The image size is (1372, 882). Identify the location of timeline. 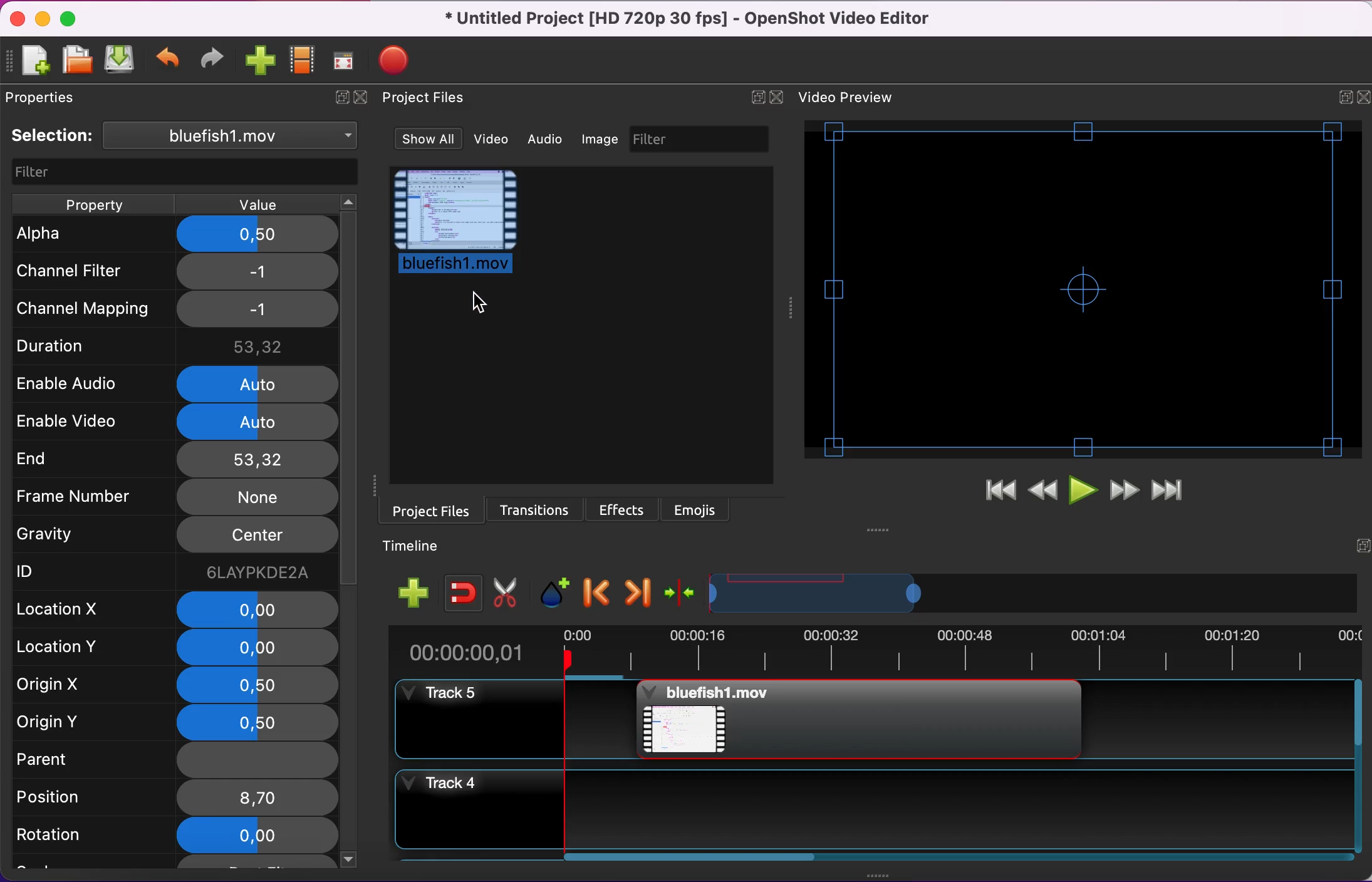
(816, 596).